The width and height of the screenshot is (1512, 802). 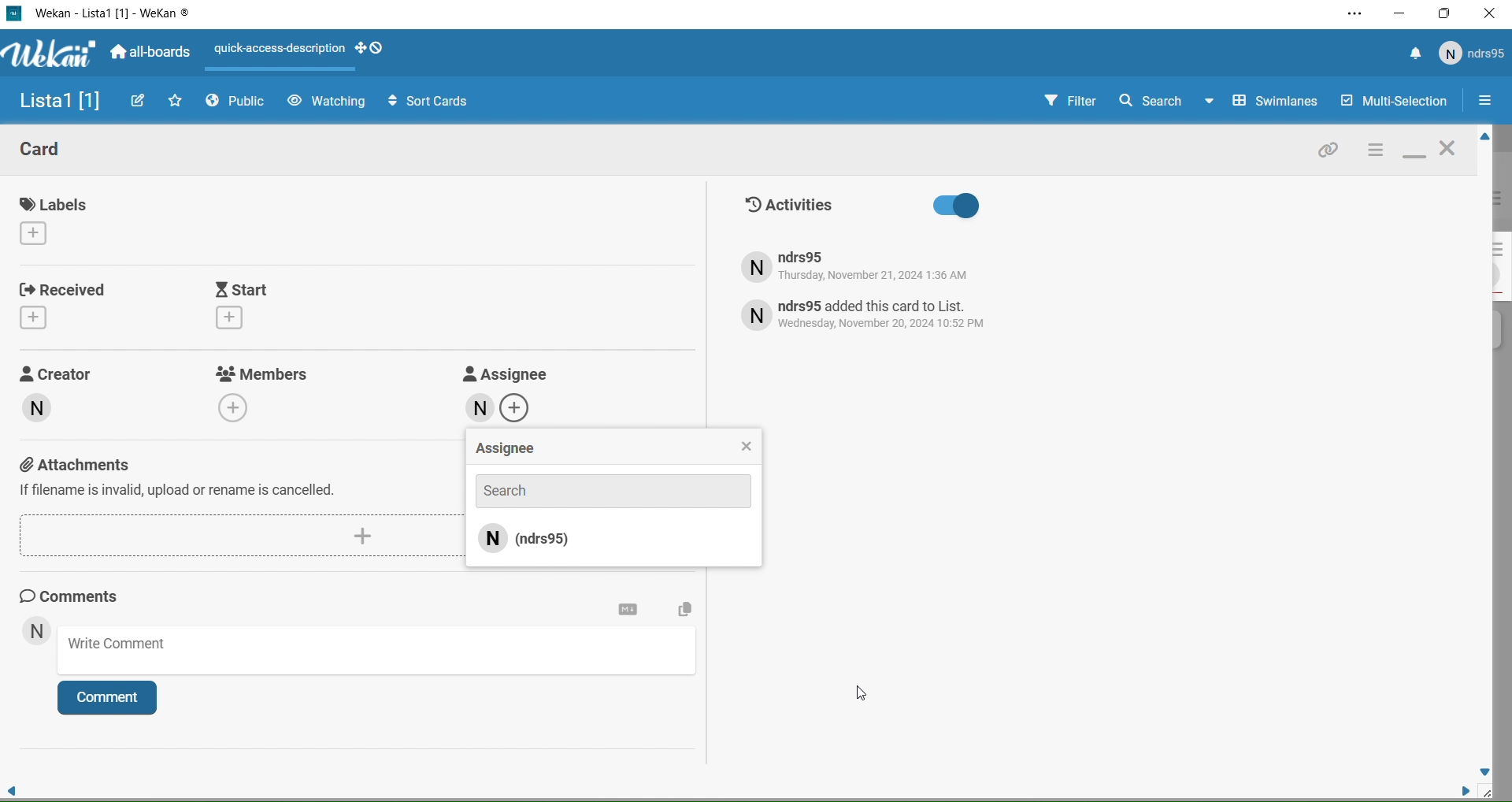 What do you see at coordinates (54, 152) in the screenshot?
I see `Card` at bounding box center [54, 152].